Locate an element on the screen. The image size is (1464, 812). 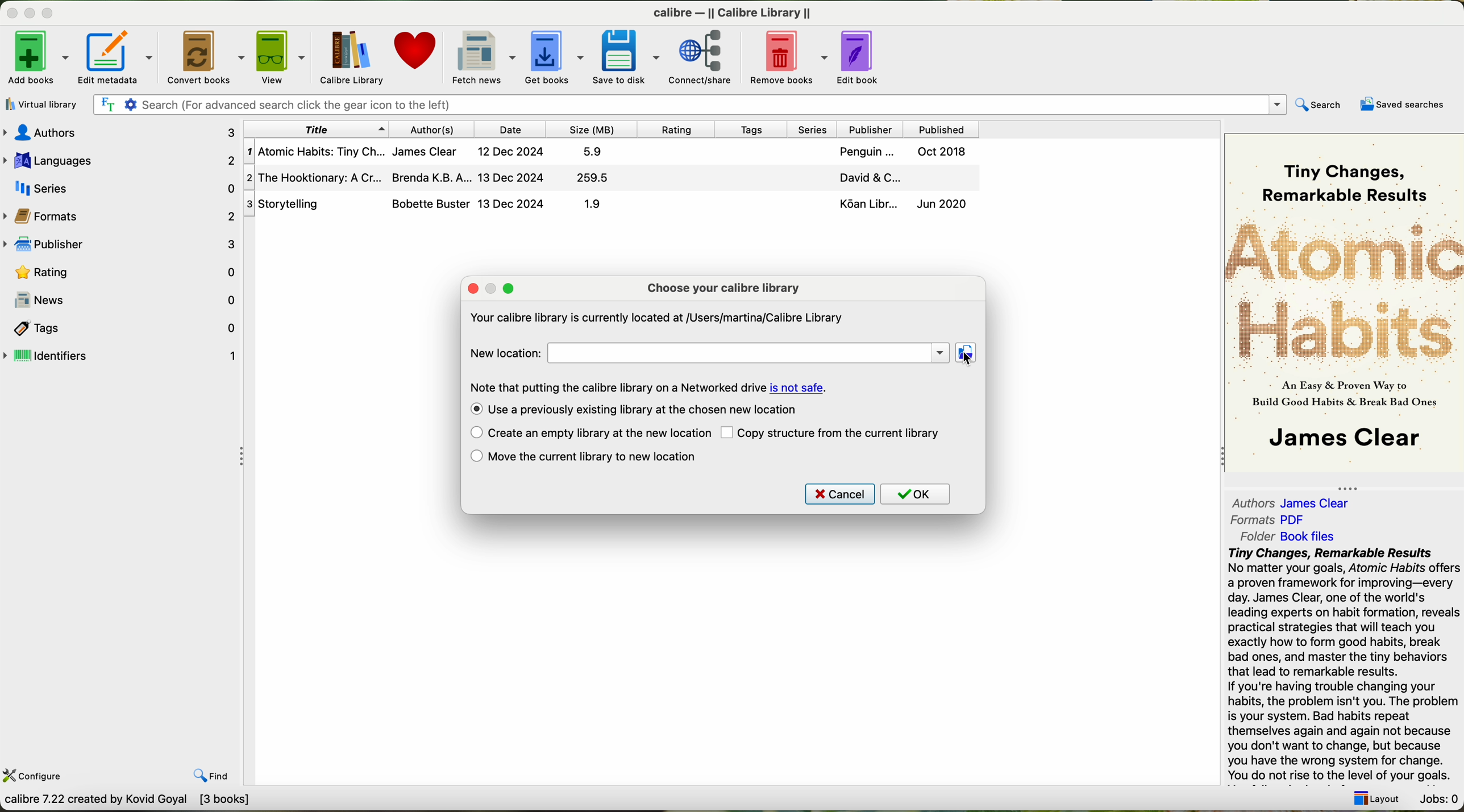
Penguin ... Oct 2018 is located at coordinates (902, 153).